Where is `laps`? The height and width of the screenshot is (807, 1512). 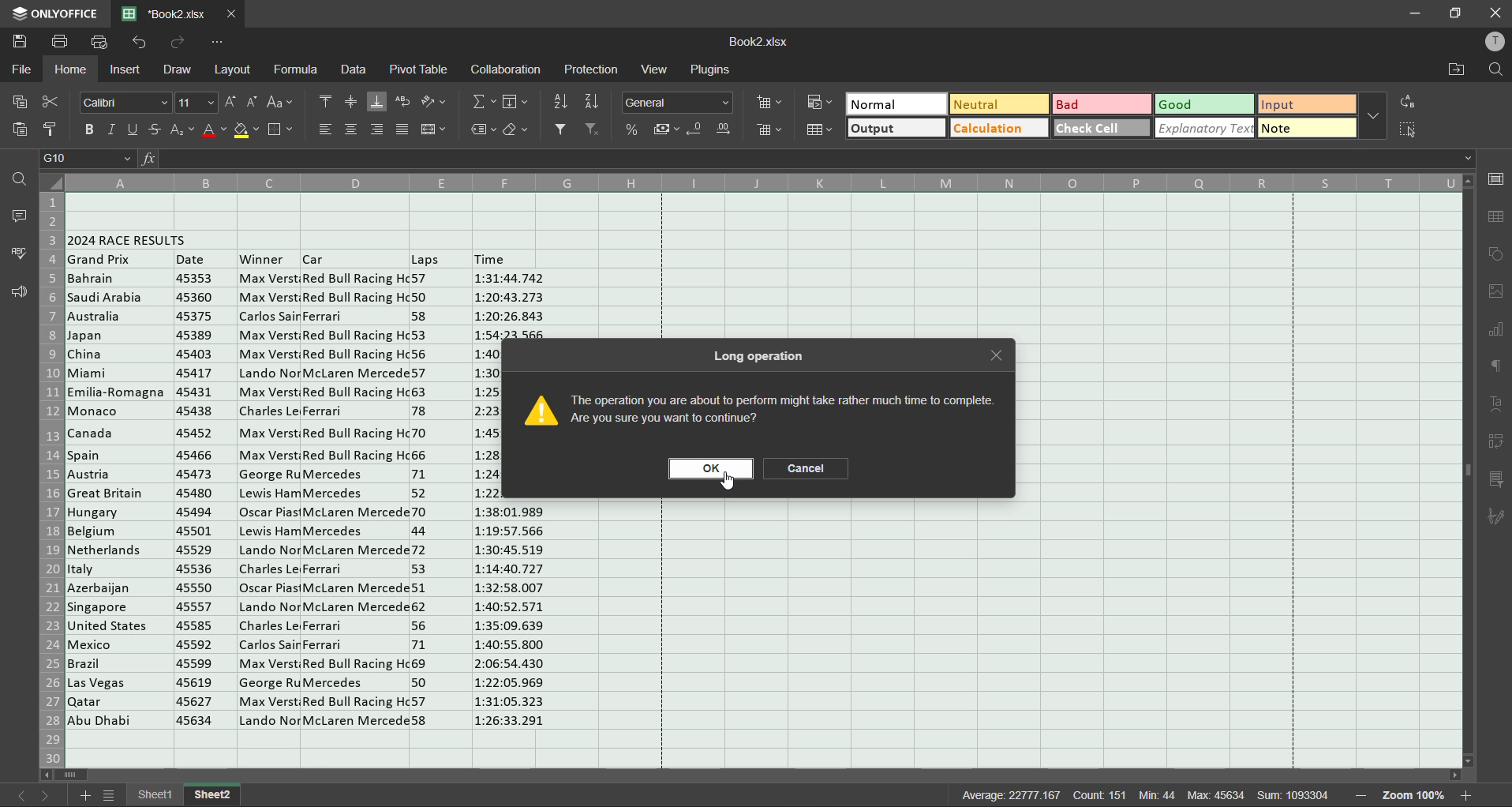 laps is located at coordinates (430, 500).